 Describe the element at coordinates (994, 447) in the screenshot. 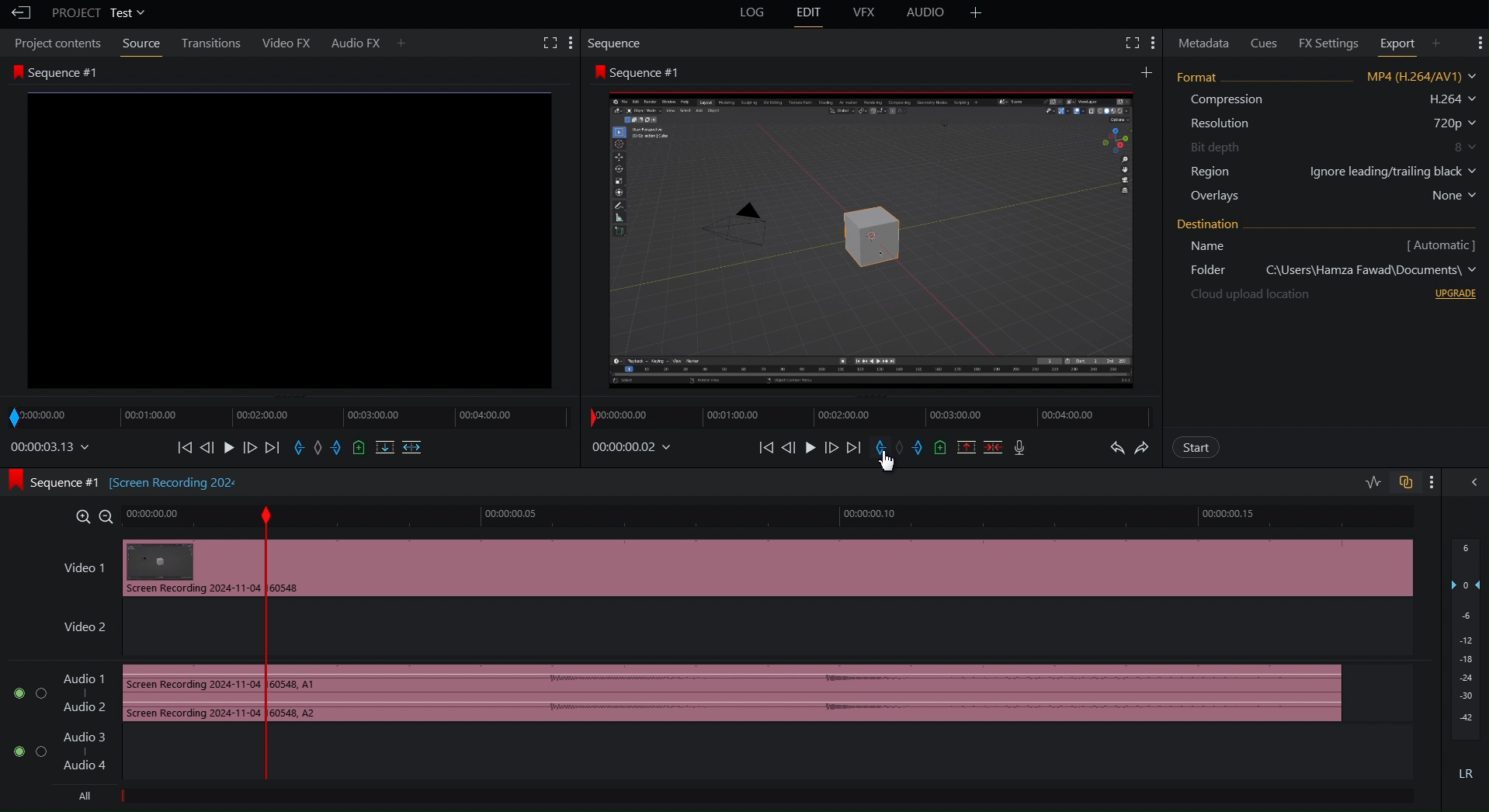

I see `Cut/Delete` at that location.